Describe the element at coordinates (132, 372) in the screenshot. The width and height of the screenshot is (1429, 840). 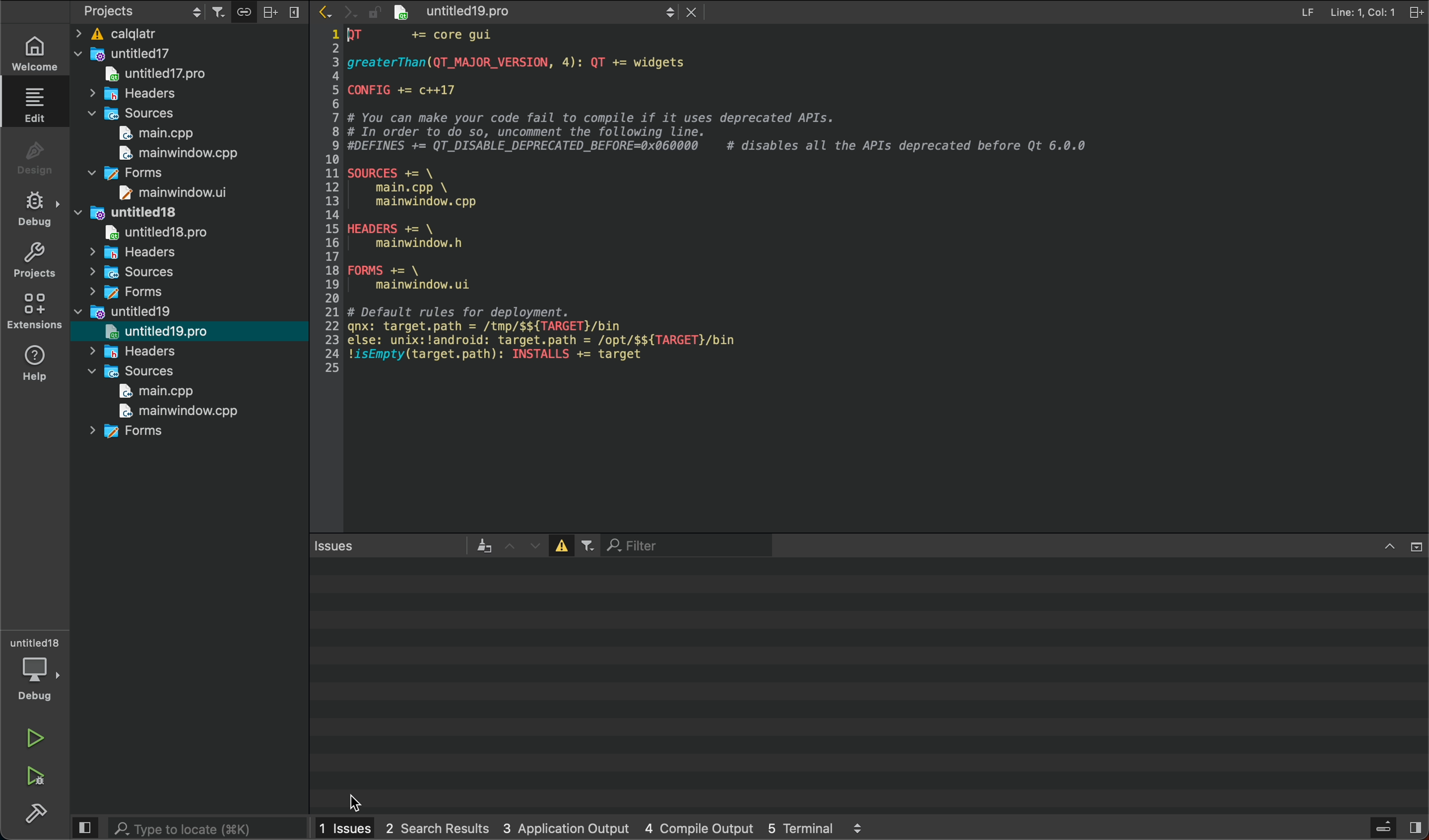
I see `sources` at that location.